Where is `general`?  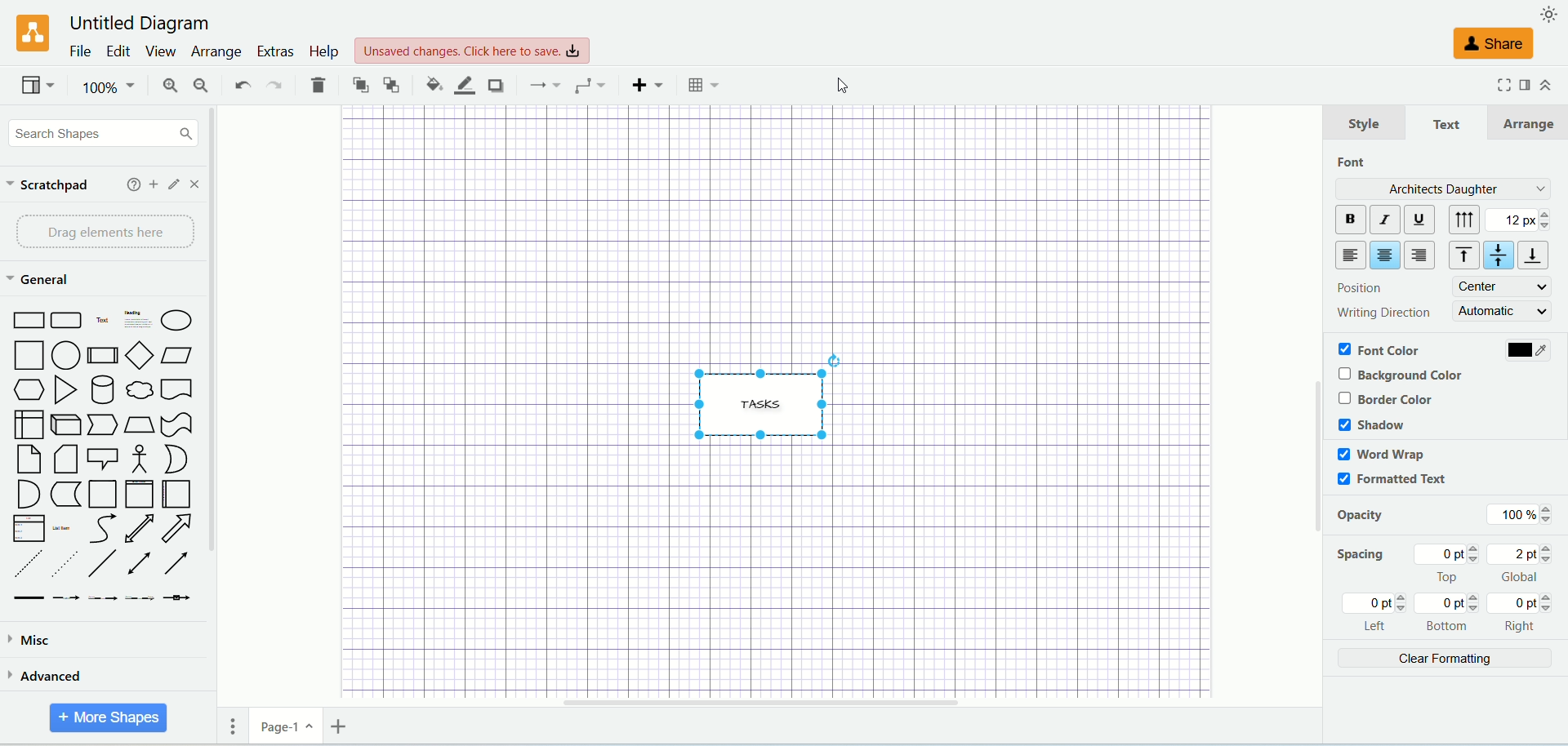 general is located at coordinates (37, 279).